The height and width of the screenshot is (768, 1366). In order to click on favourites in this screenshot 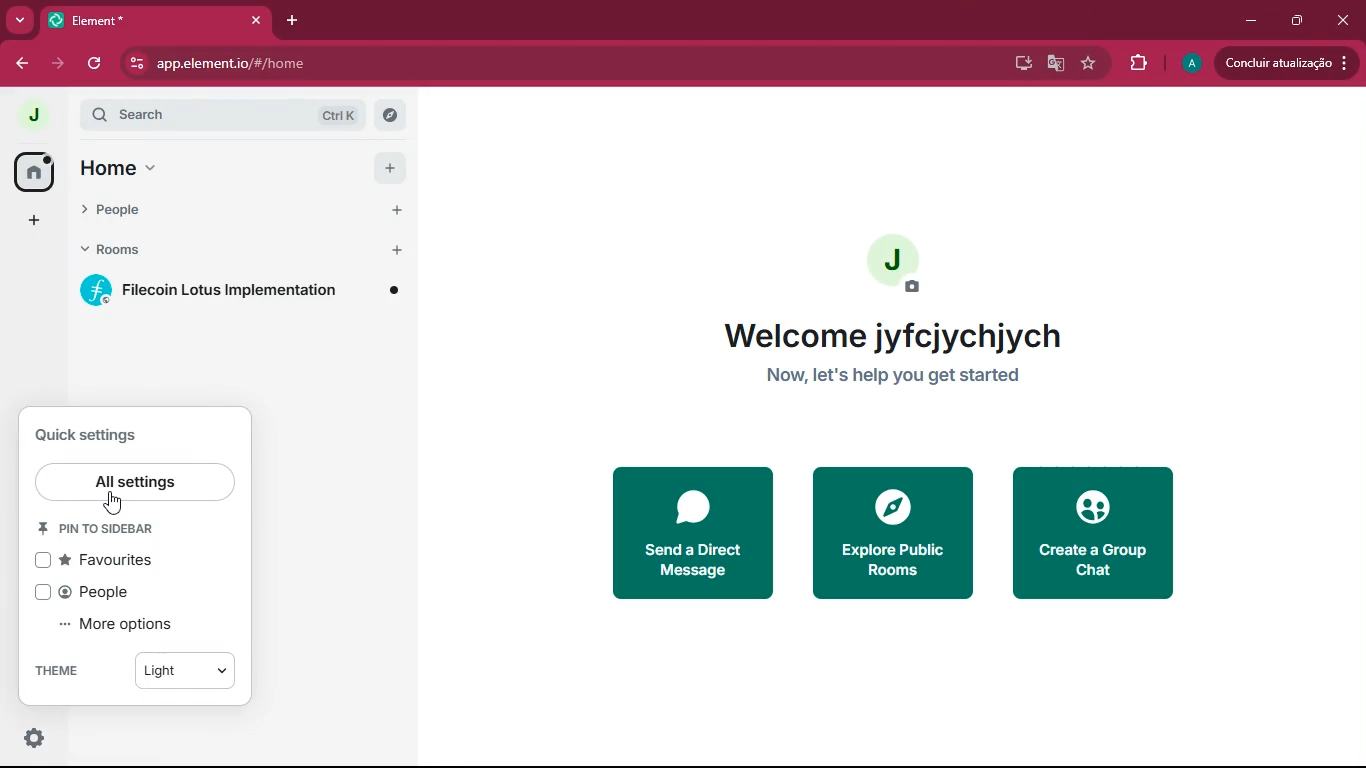, I will do `click(120, 561)`.